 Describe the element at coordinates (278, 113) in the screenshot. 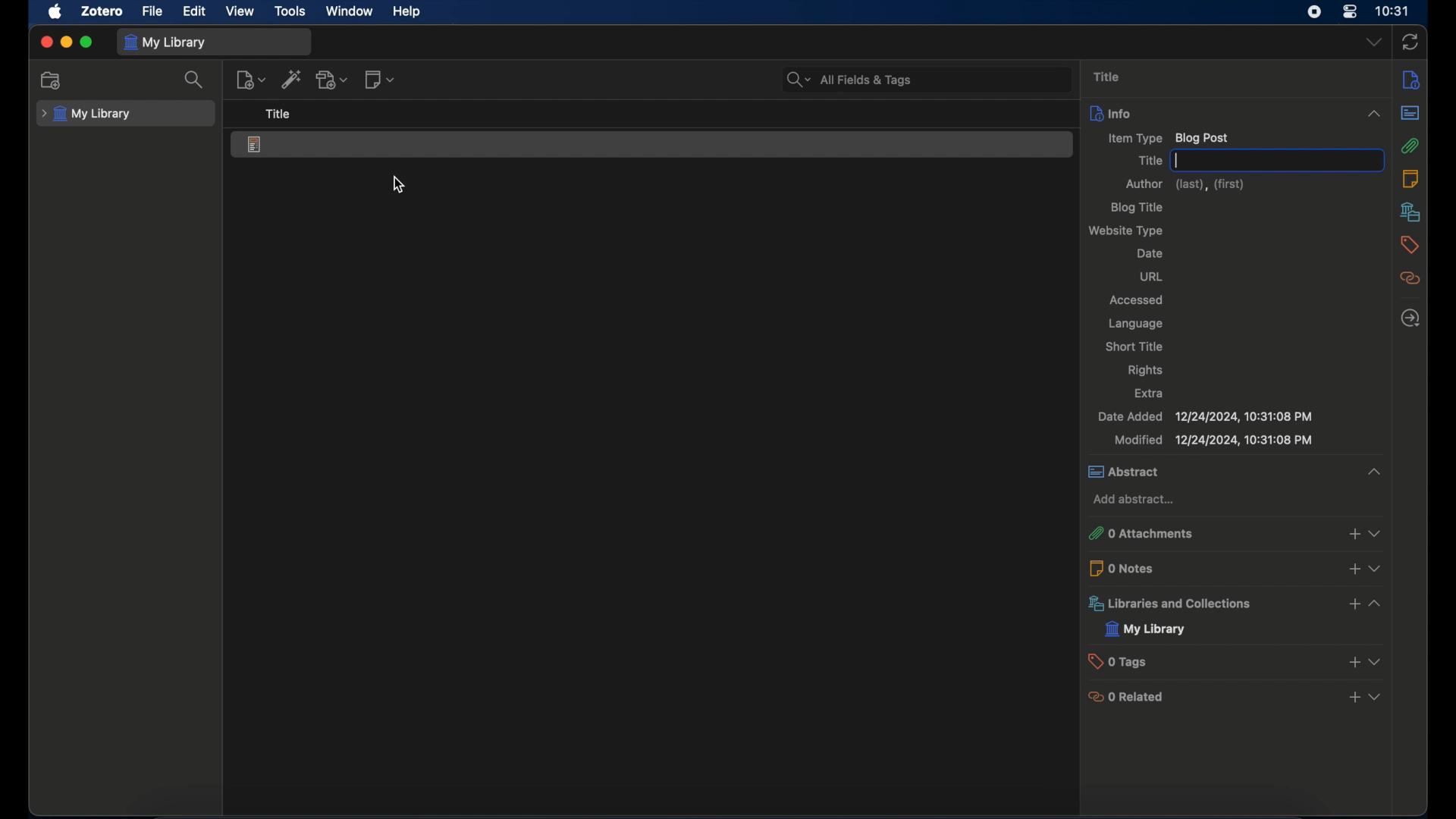

I see `title` at that location.